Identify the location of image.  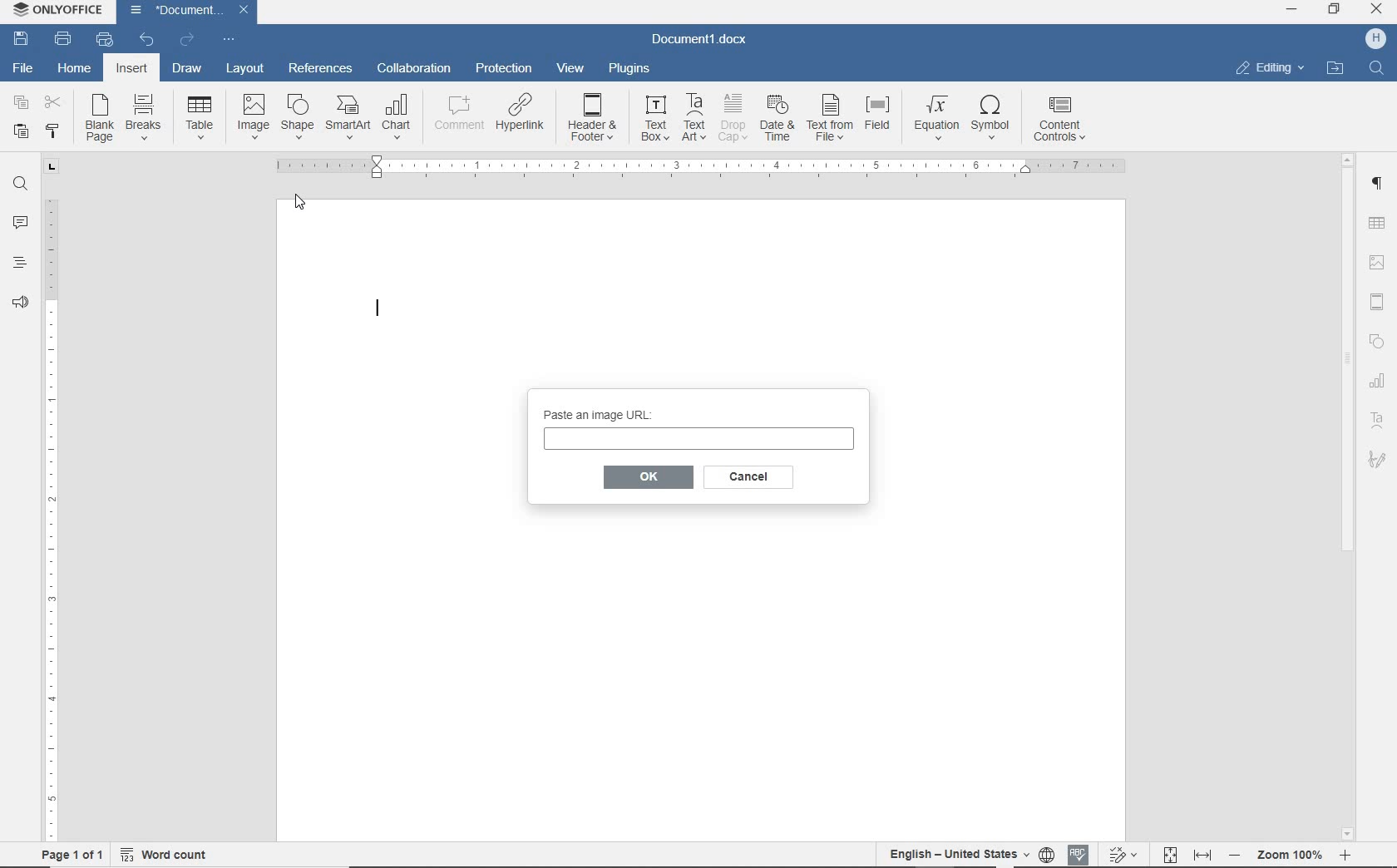
(1379, 262).